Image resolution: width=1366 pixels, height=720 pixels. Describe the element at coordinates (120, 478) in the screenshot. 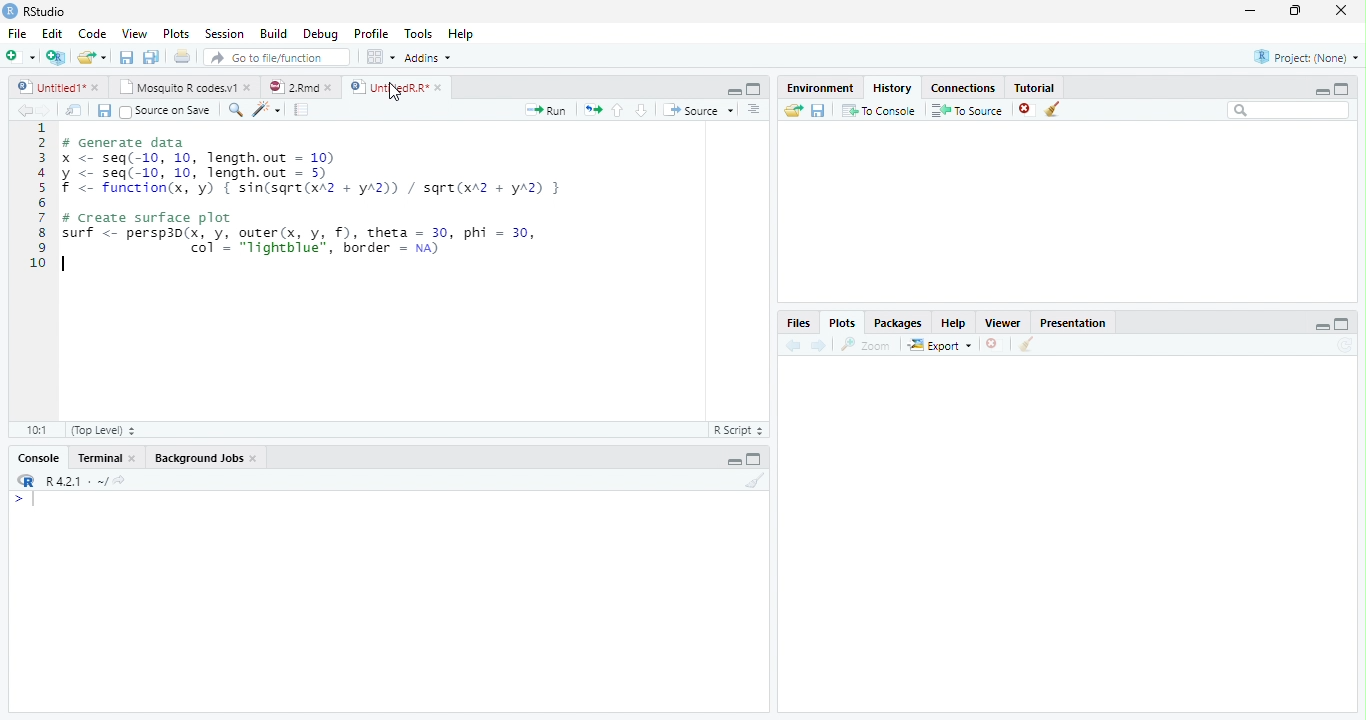

I see `View the current working directory` at that location.